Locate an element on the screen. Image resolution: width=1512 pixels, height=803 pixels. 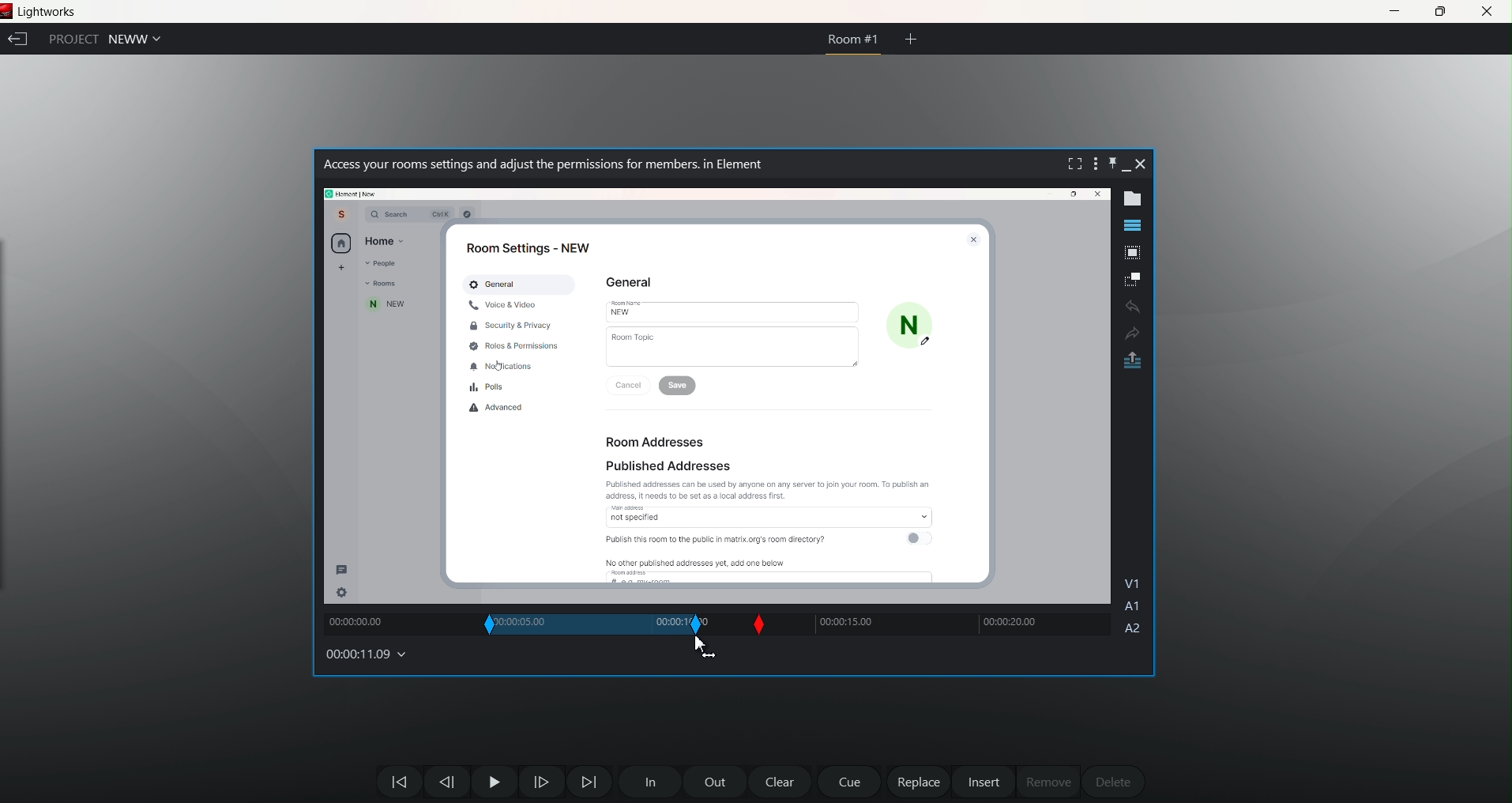
track is located at coordinates (943, 626).